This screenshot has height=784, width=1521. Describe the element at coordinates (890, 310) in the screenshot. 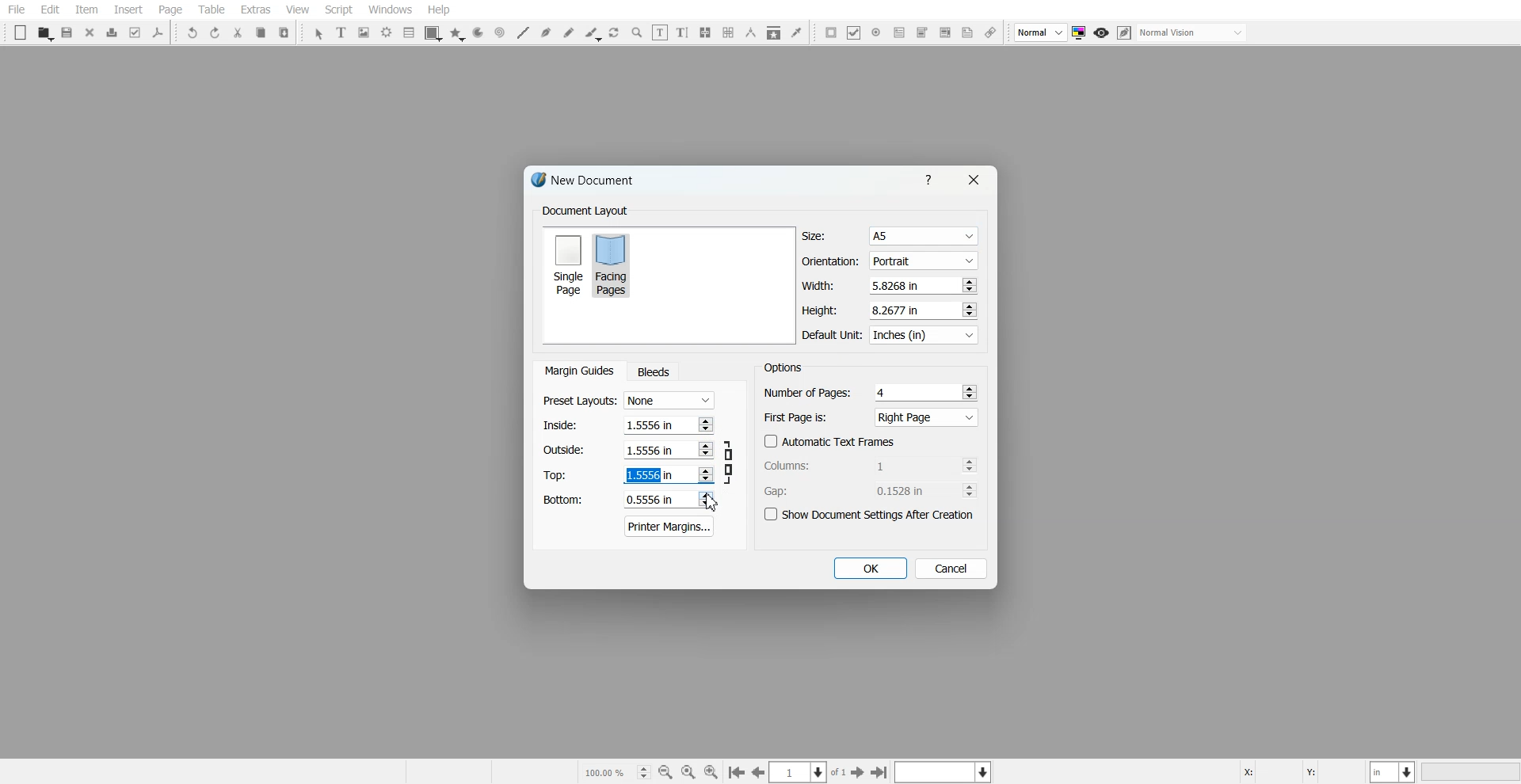

I see `Height adjuster` at that location.